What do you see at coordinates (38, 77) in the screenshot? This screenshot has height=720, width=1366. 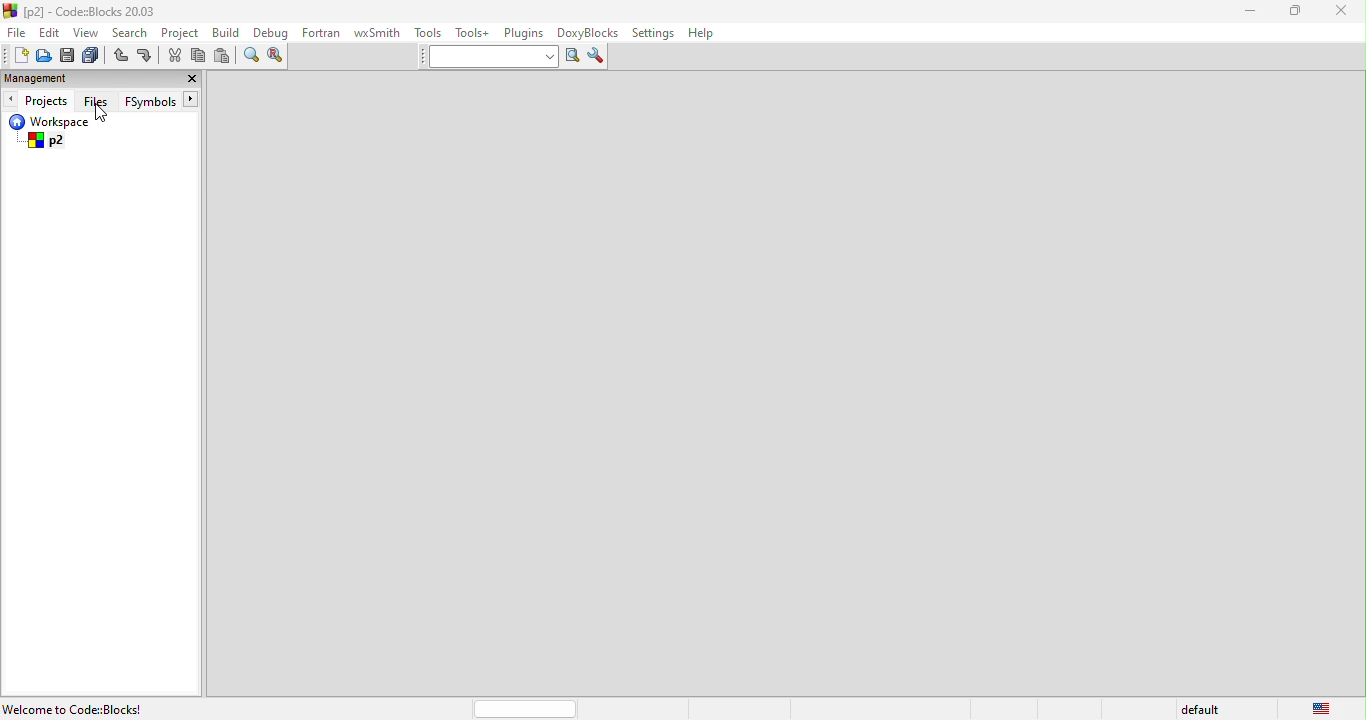 I see `management` at bounding box center [38, 77].